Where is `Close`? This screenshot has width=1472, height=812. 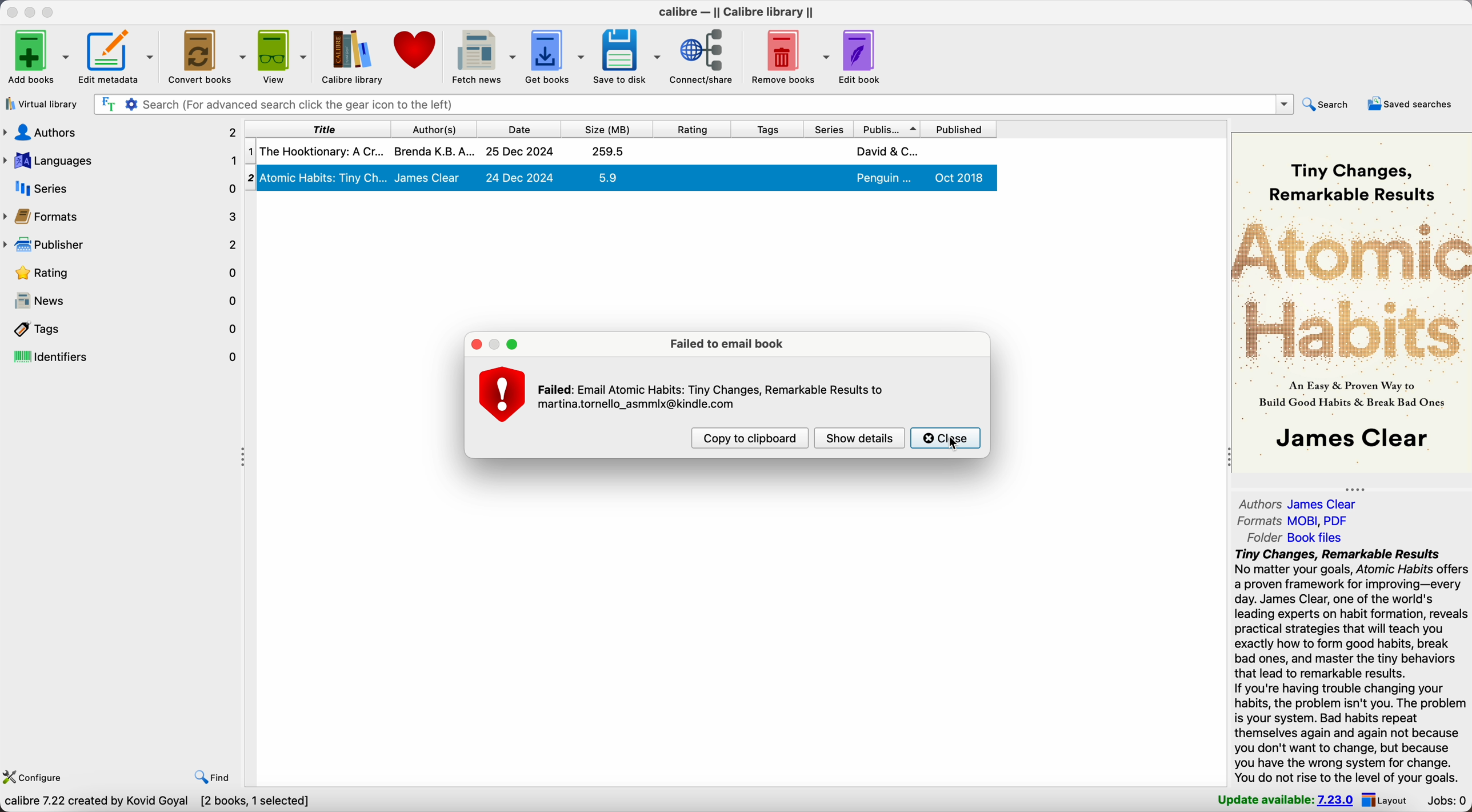
Close is located at coordinates (946, 437).